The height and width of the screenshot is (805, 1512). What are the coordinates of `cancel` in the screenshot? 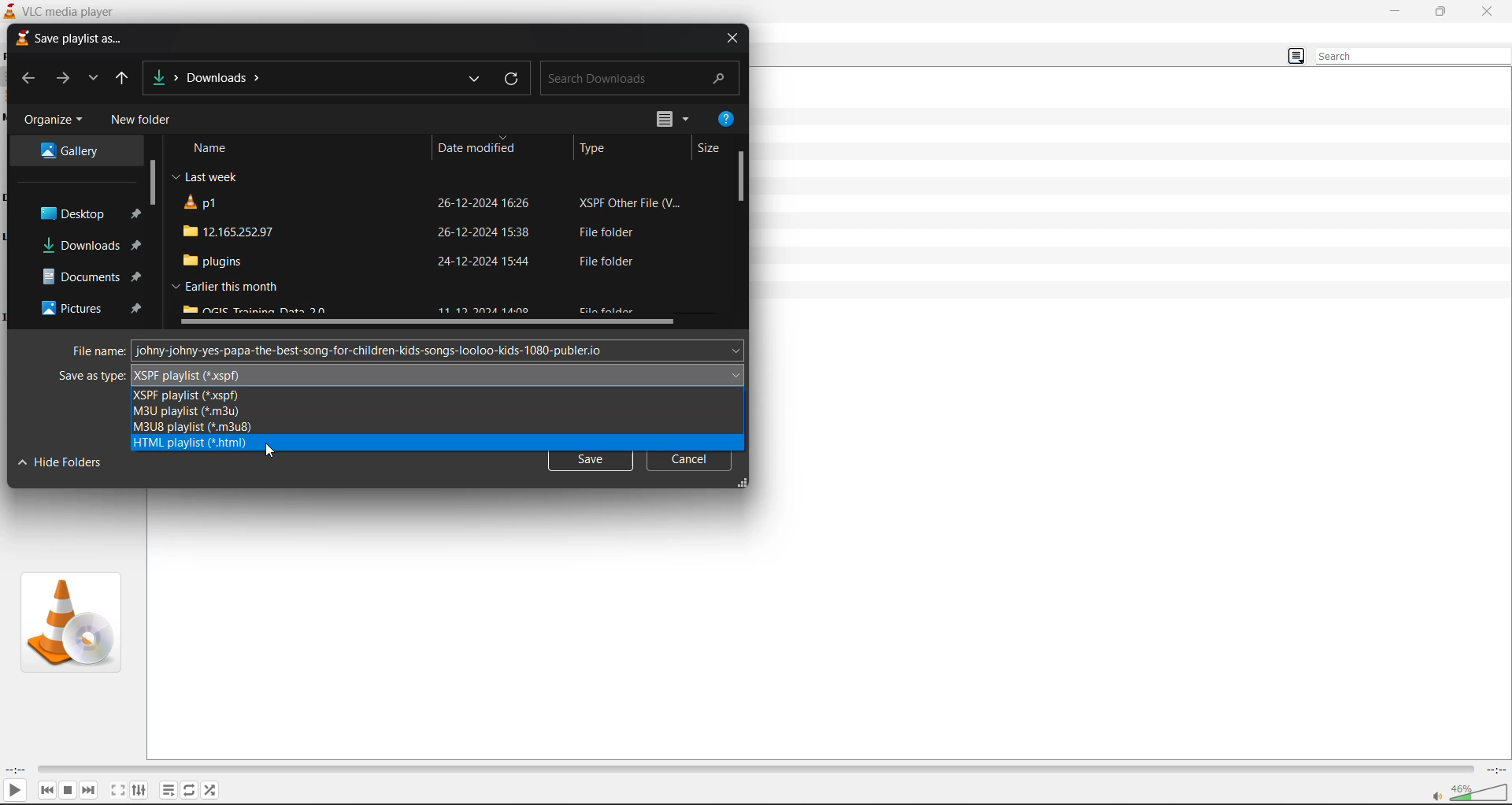 It's located at (691, 463).